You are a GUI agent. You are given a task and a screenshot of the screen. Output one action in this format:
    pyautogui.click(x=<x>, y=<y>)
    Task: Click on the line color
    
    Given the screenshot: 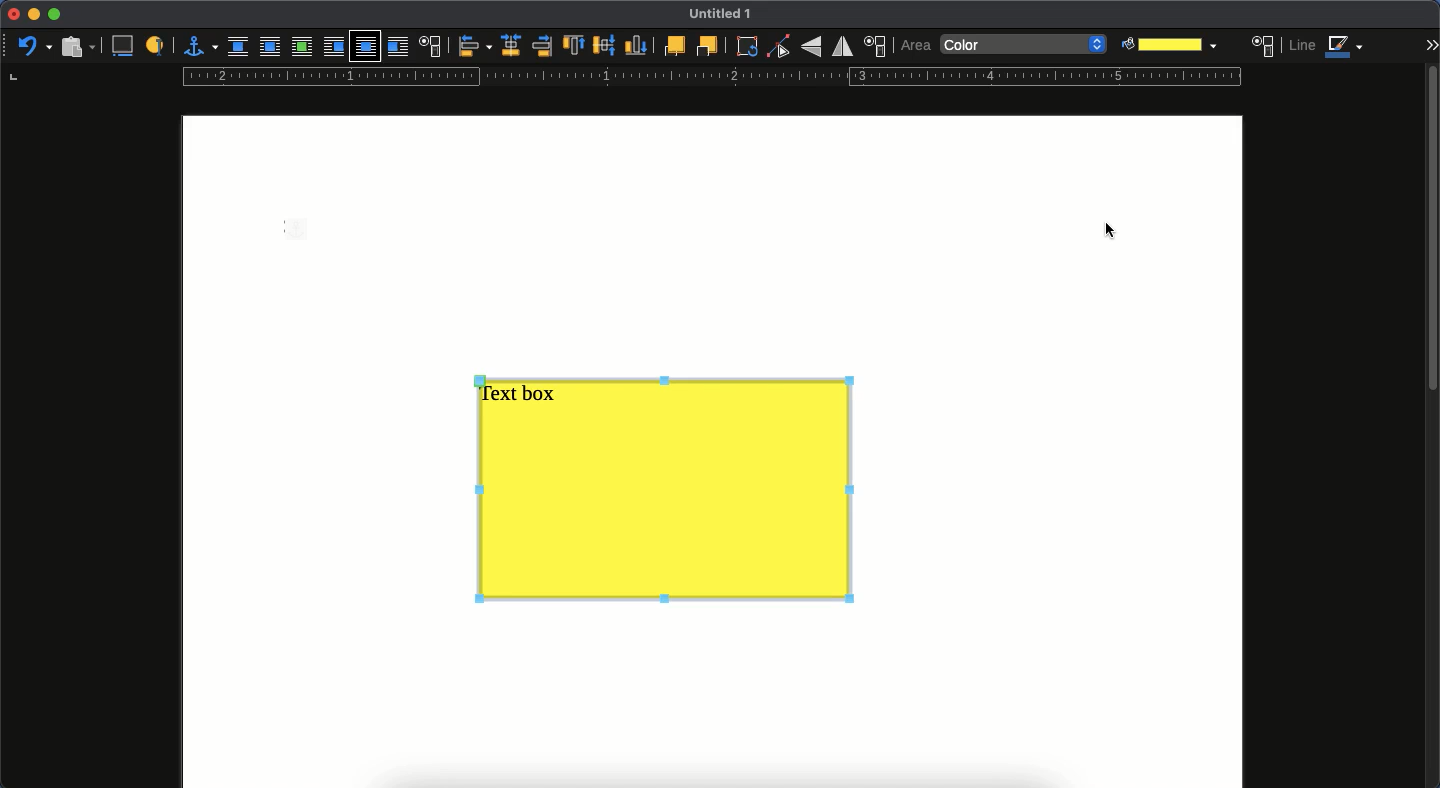 What is the action you would take?
    pyautogui.click(x=1328, y=48)
    